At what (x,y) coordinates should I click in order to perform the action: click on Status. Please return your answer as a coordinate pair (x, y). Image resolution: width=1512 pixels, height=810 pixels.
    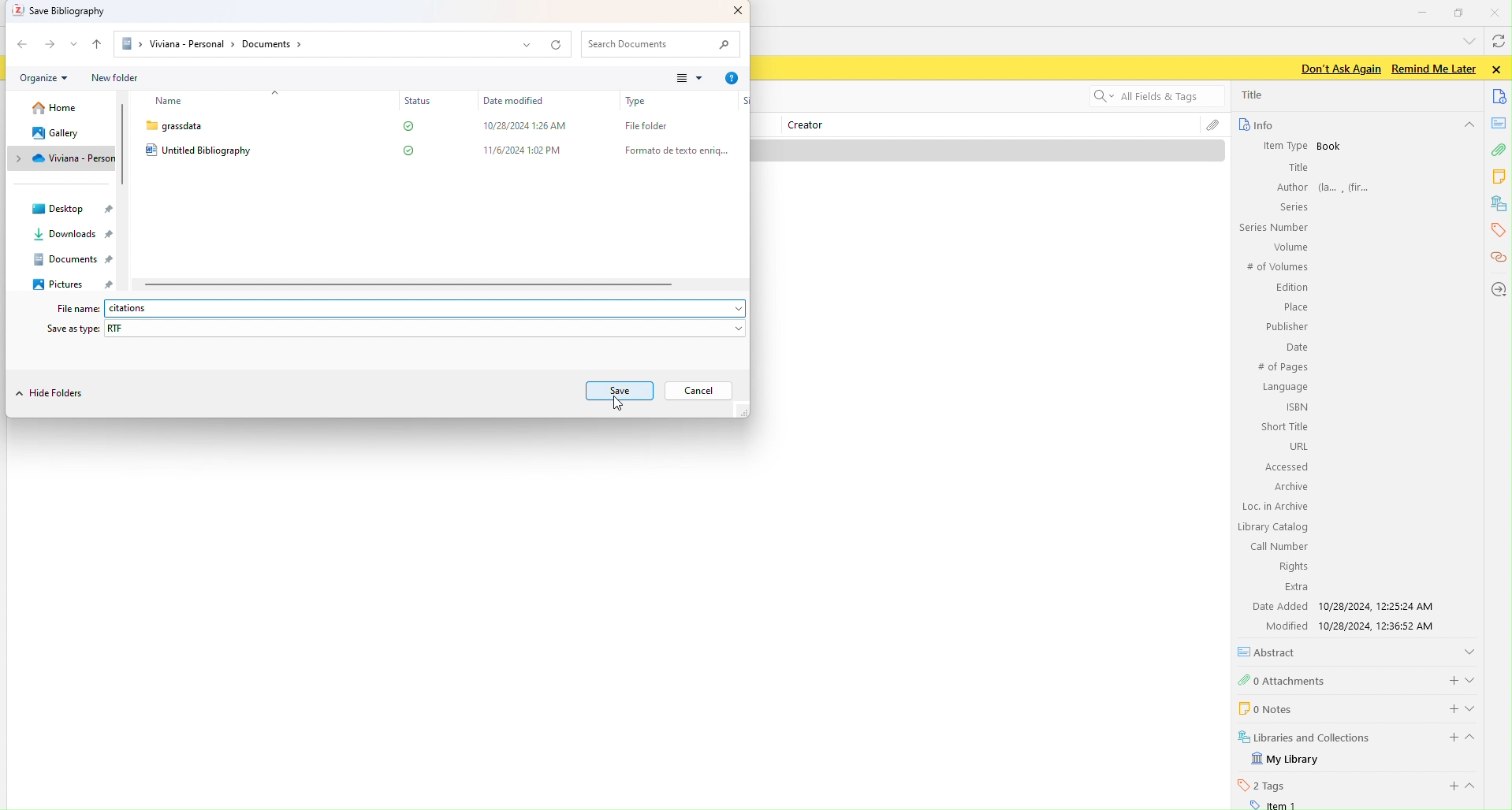
    Looking at the image, I should click on (415, 101).